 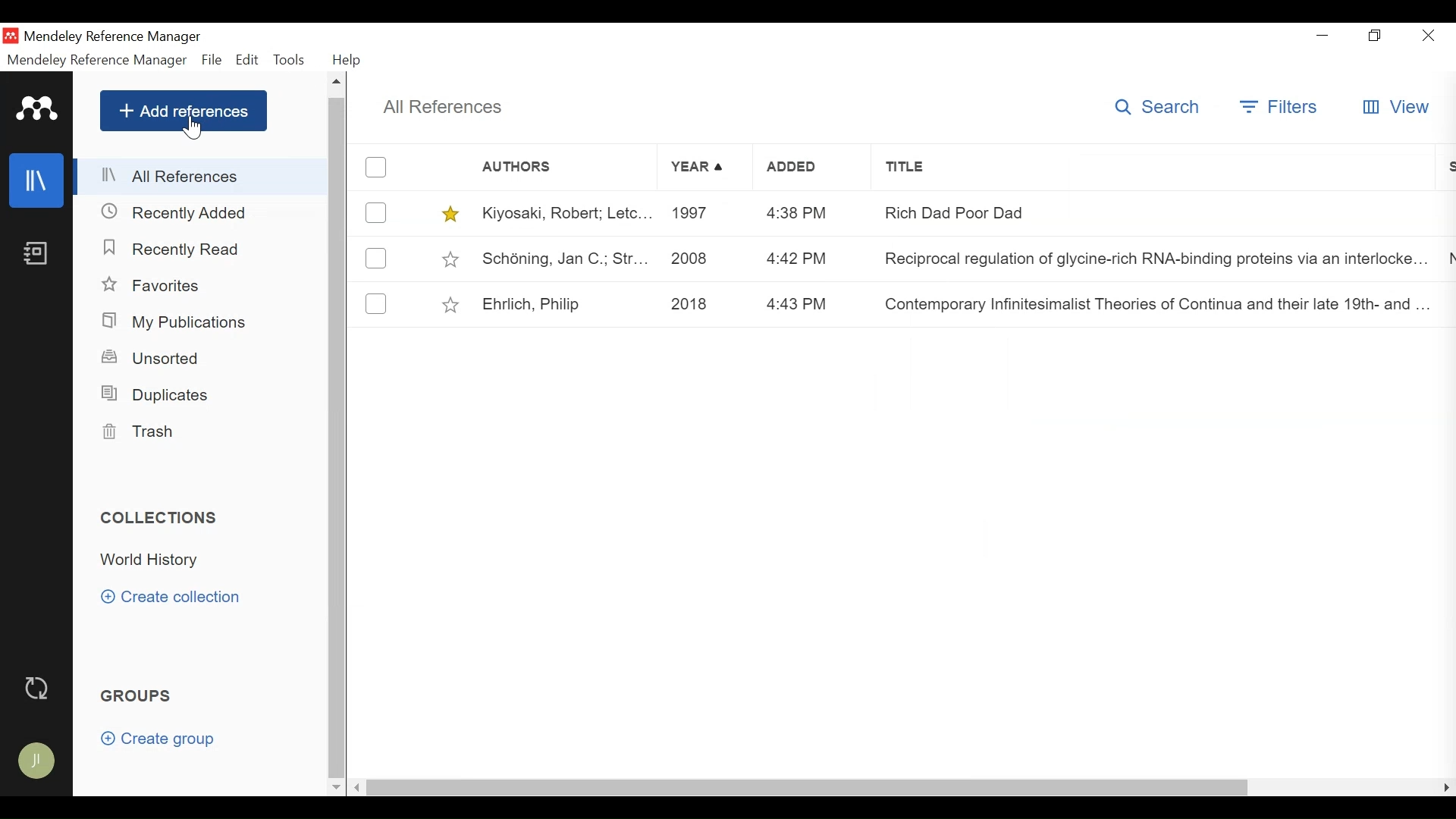 What do you see at coordinates (139, 432) in the screenshot?
I see `Trash` at bounding box center [139, 432].